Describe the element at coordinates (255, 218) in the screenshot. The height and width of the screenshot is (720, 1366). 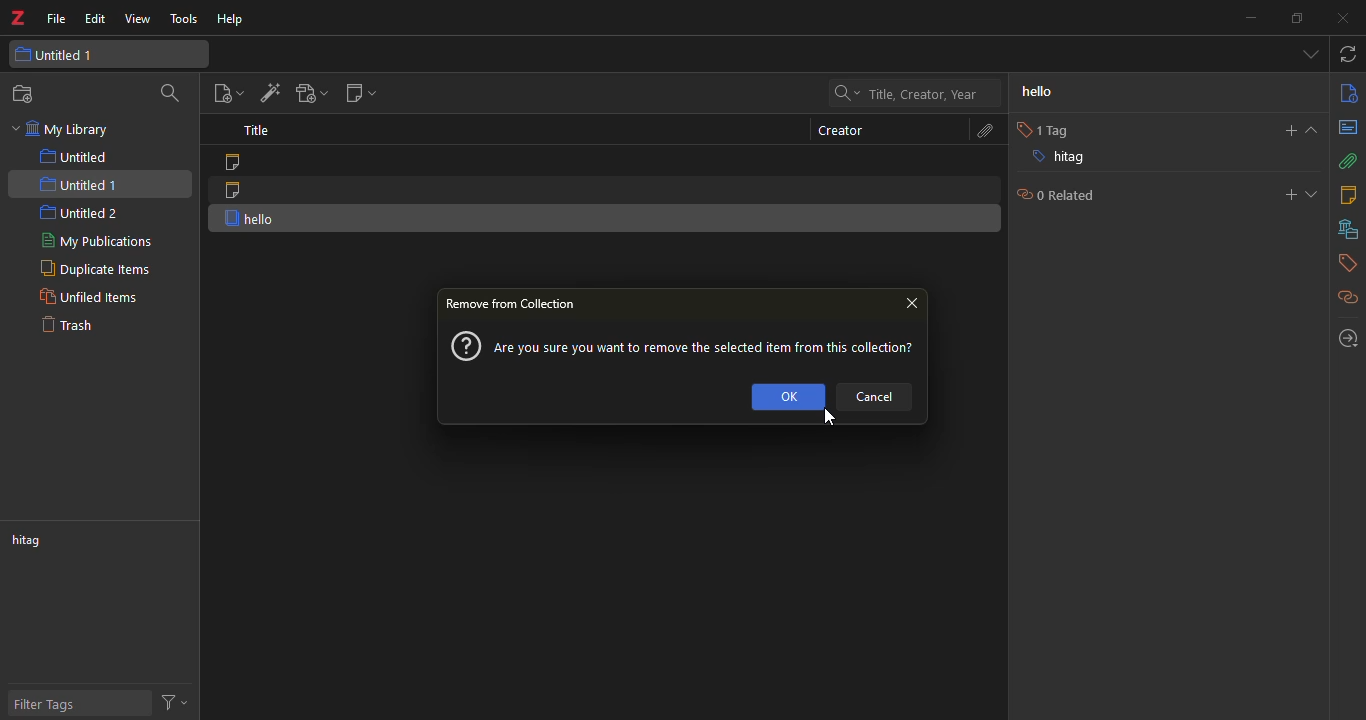
I see `hello` at that location.